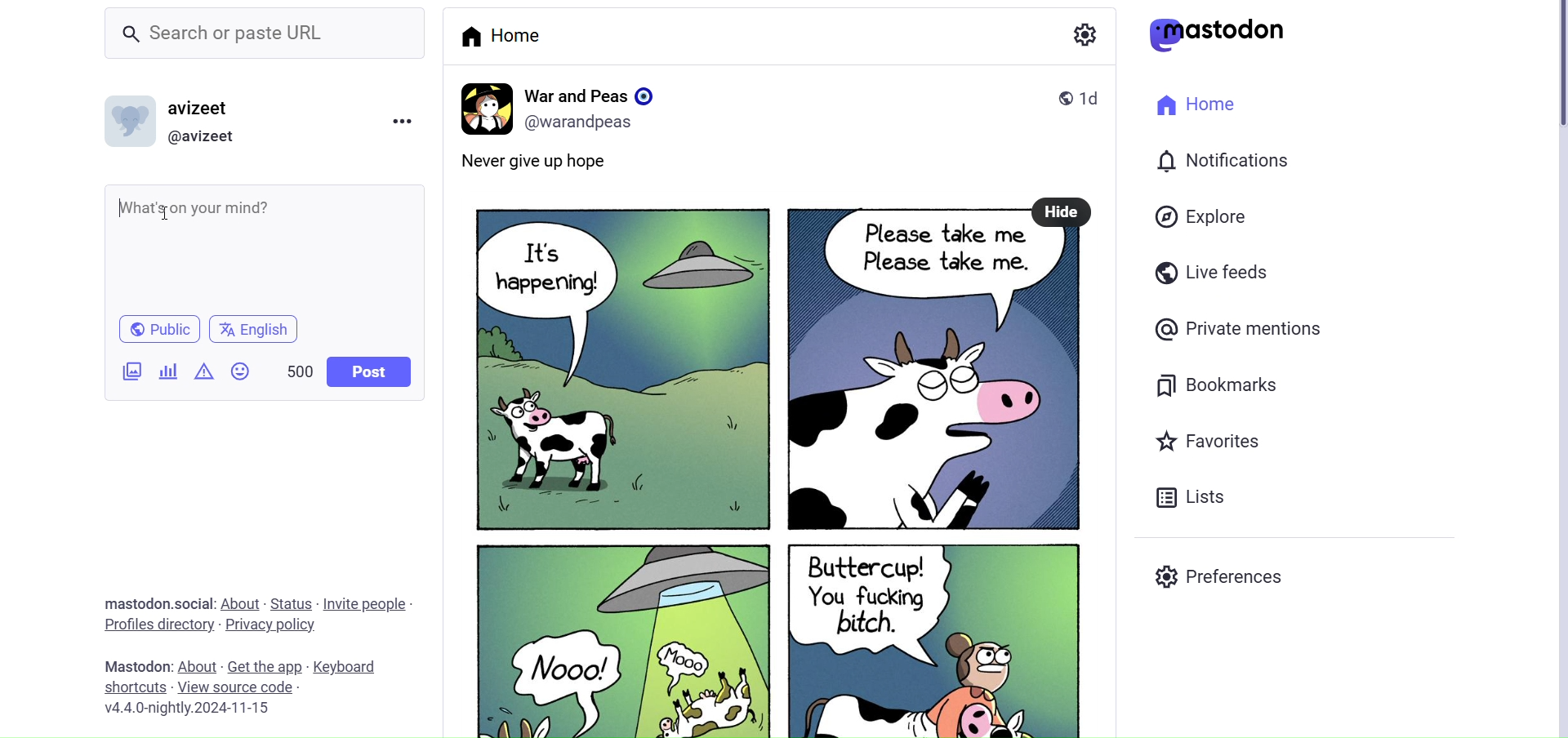  Describe the element at coordinates (1222, 579) in the screenshot. I see `Preferences` at that location.